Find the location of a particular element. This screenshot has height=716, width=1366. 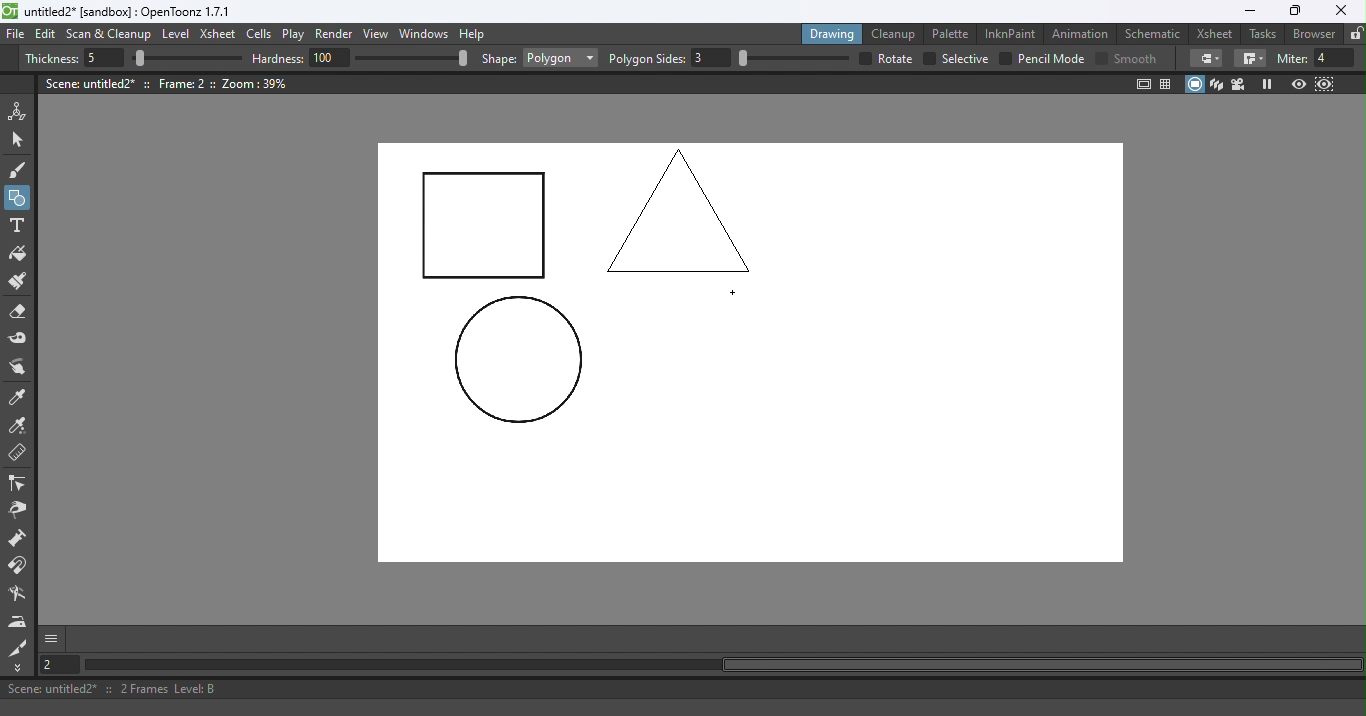

Tape tool is located at coordinates (21, 340).